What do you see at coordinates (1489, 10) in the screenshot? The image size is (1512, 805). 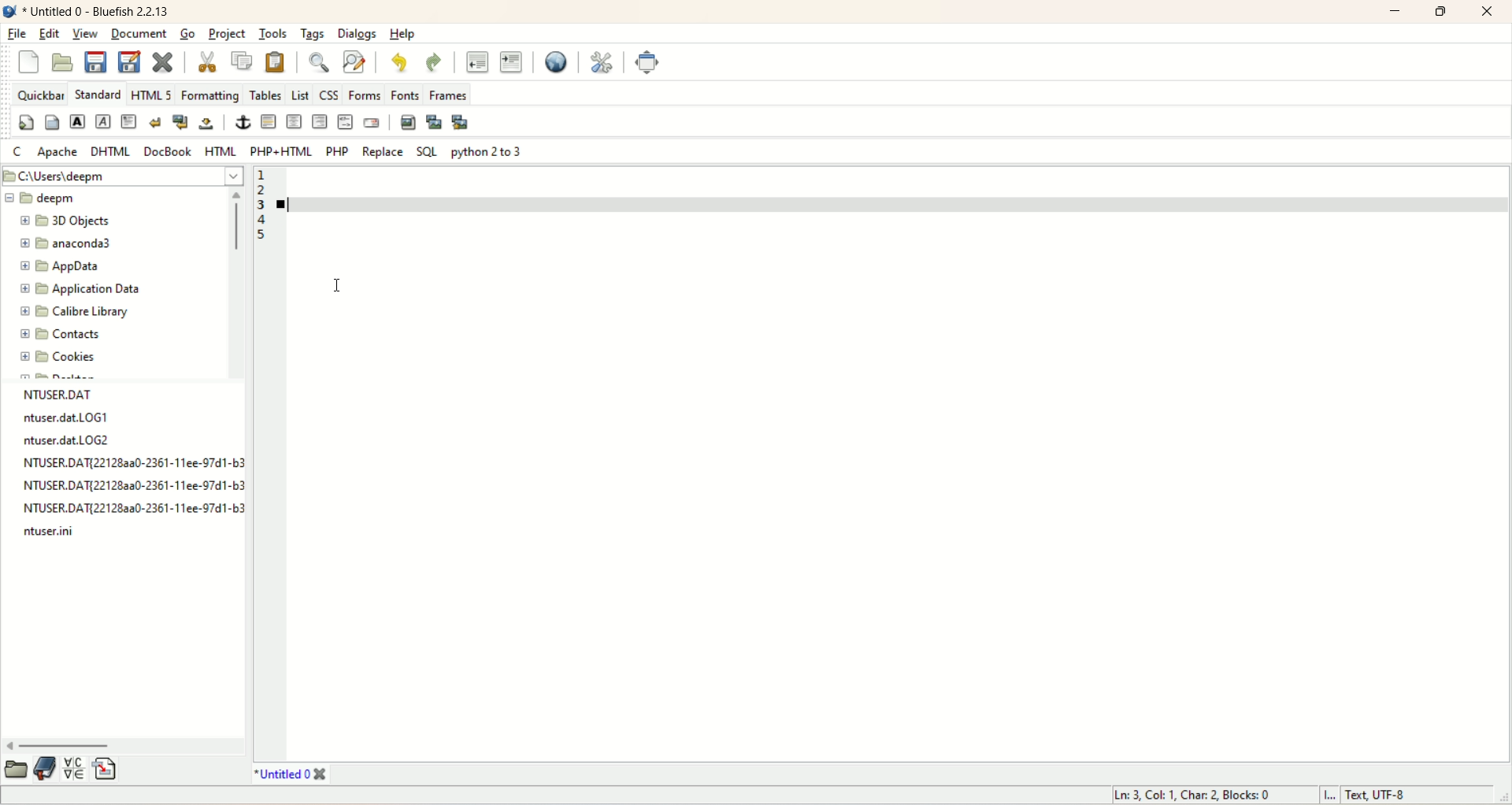 I see `close` at bounding box center [1489, 10].